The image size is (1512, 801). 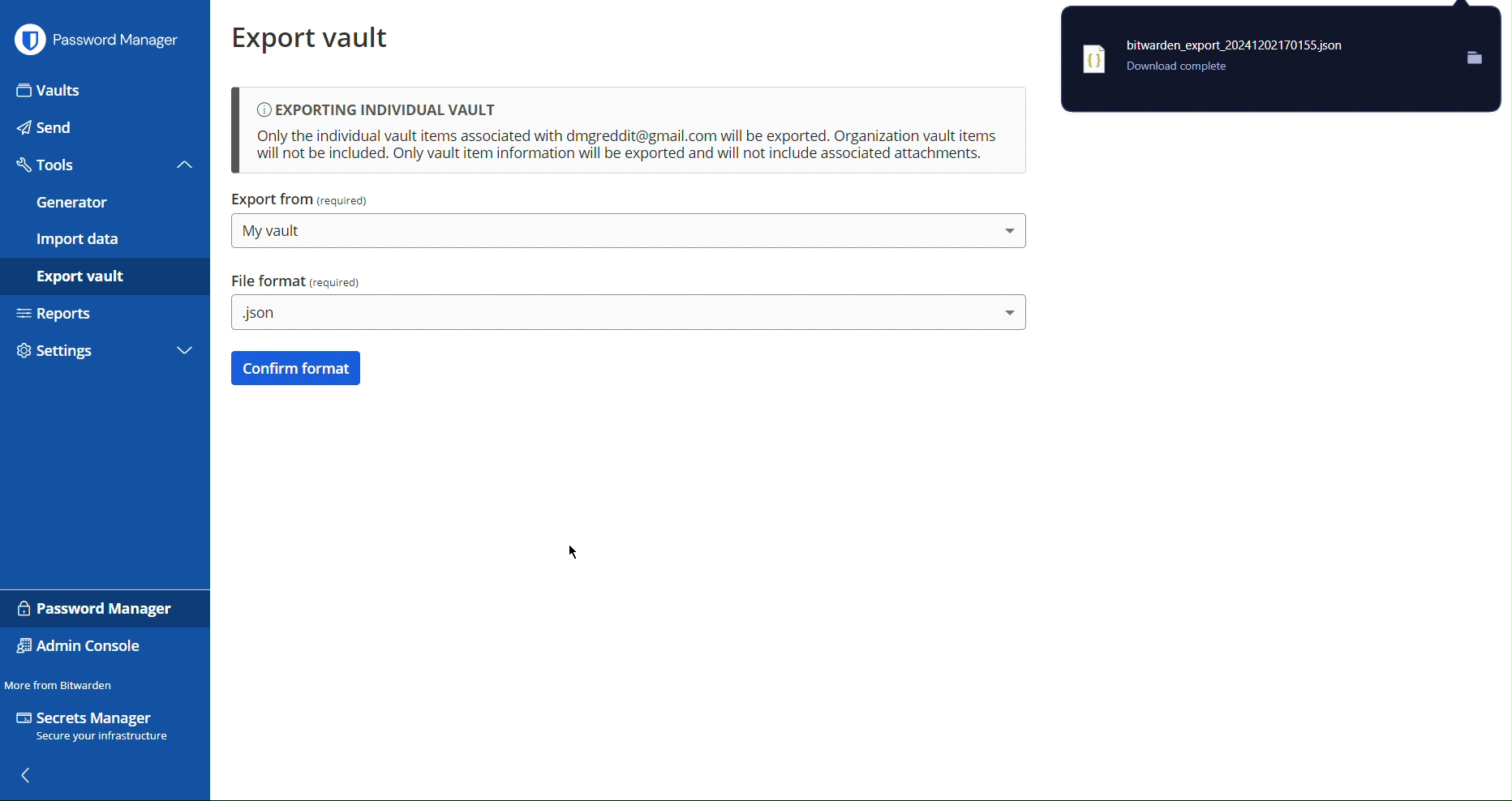 I want to click on Export vault, so click(x=107, y=279).